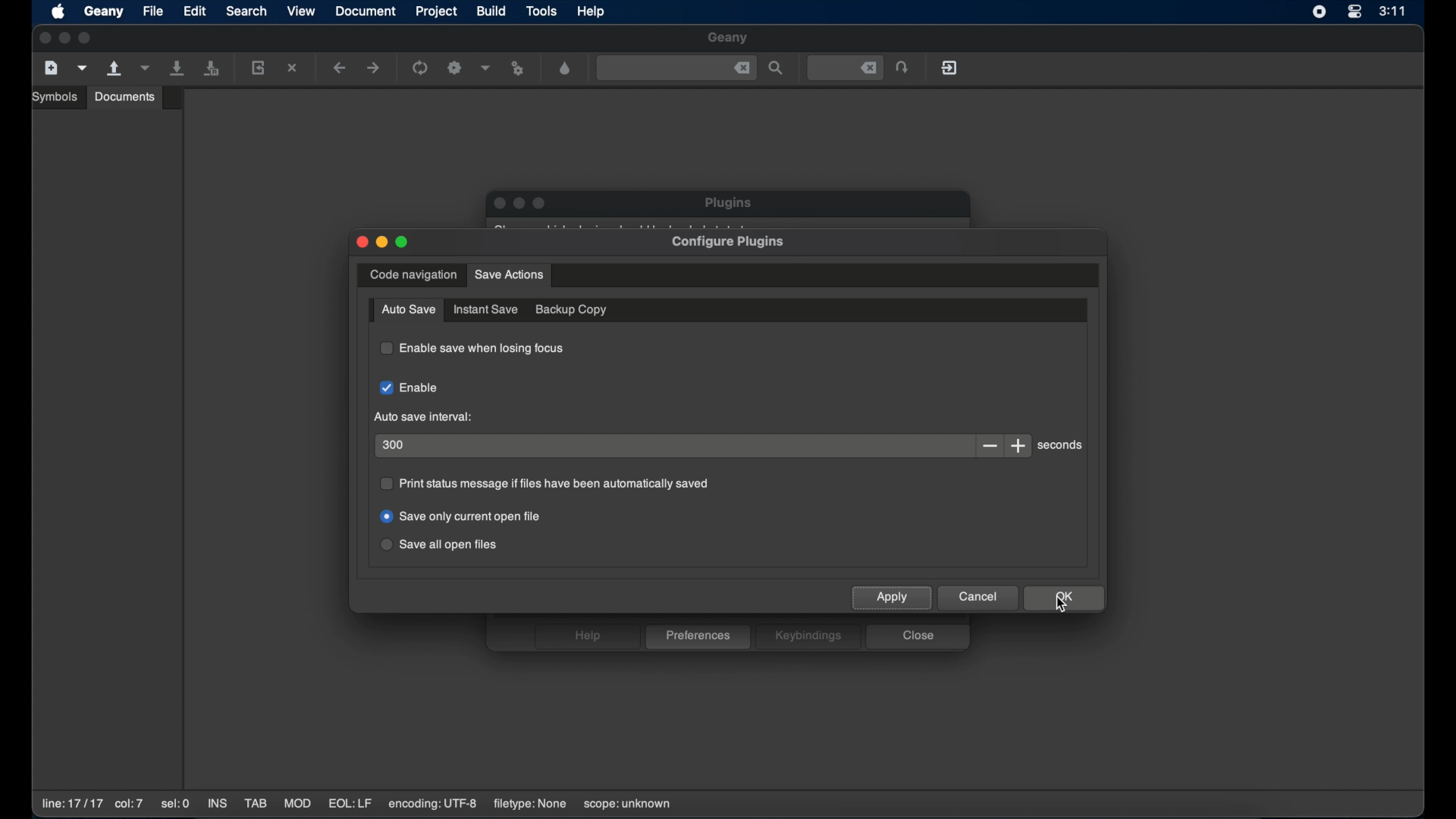  I want to click on close, so click(918, 637).